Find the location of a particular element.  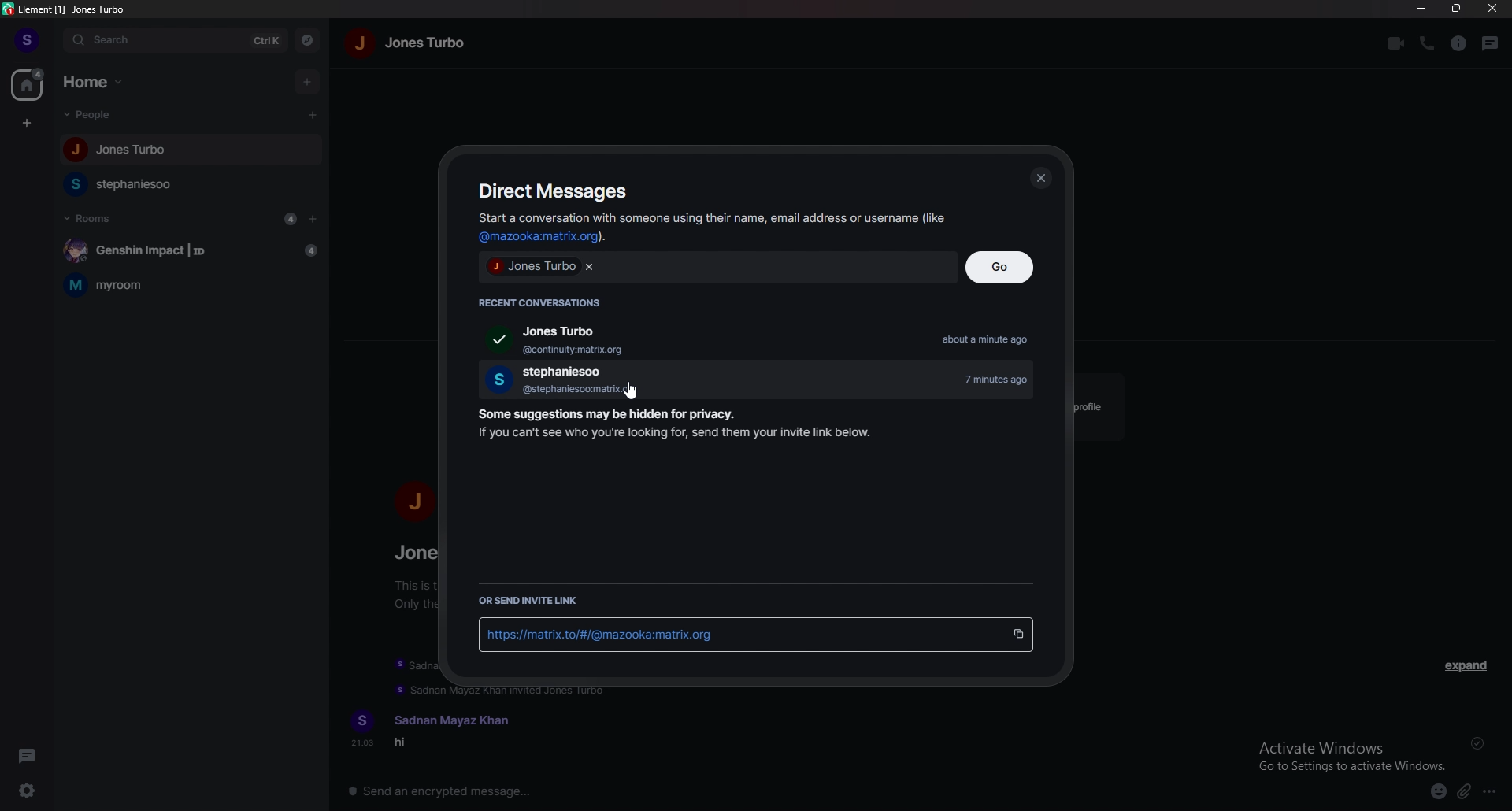

Genshin Impact | ID is located at coordinates (187, 249).